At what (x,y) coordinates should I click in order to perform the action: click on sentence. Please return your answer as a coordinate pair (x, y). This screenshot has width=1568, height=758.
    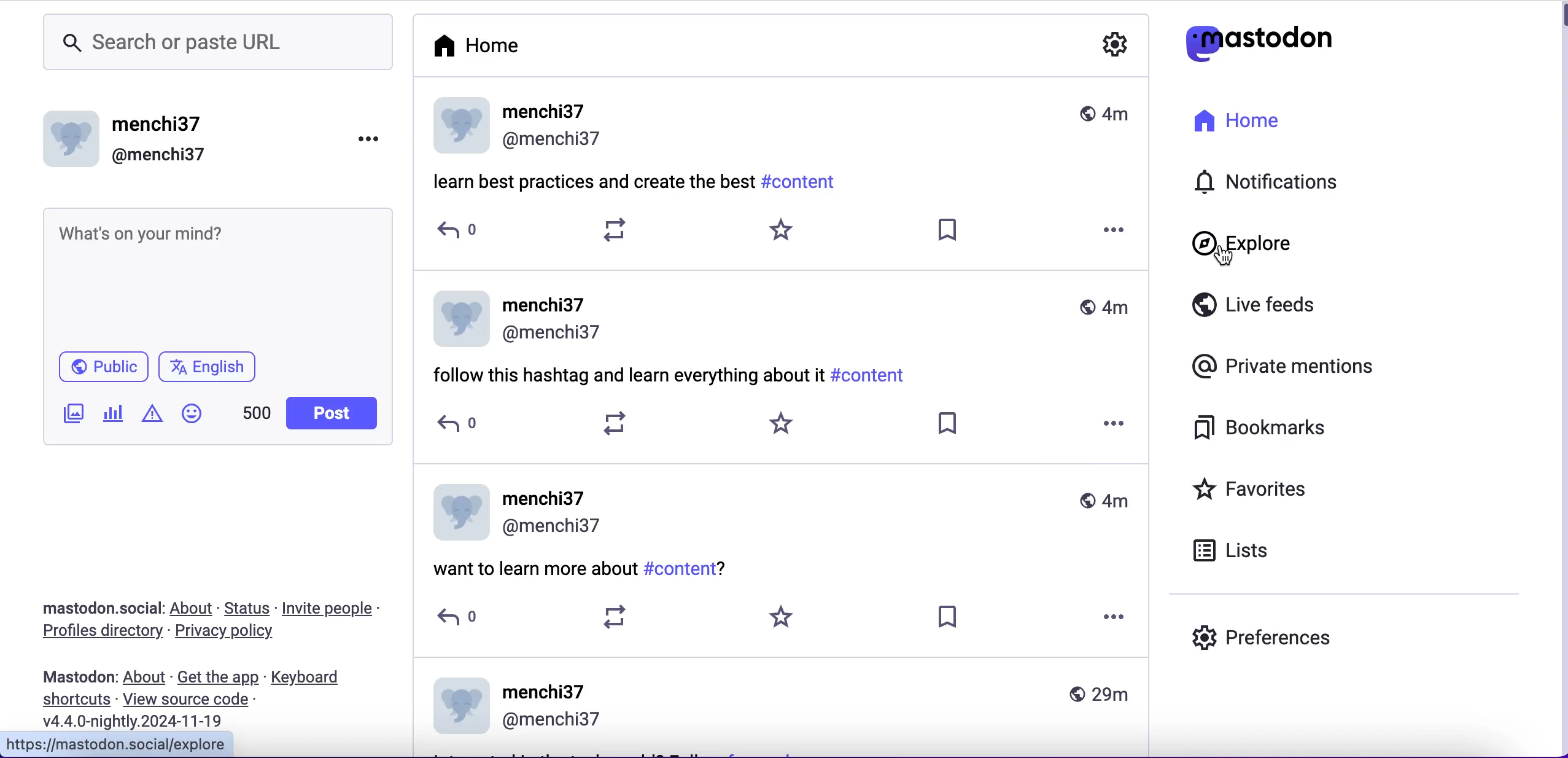
    Looking at the image, I should click on (627, 377).